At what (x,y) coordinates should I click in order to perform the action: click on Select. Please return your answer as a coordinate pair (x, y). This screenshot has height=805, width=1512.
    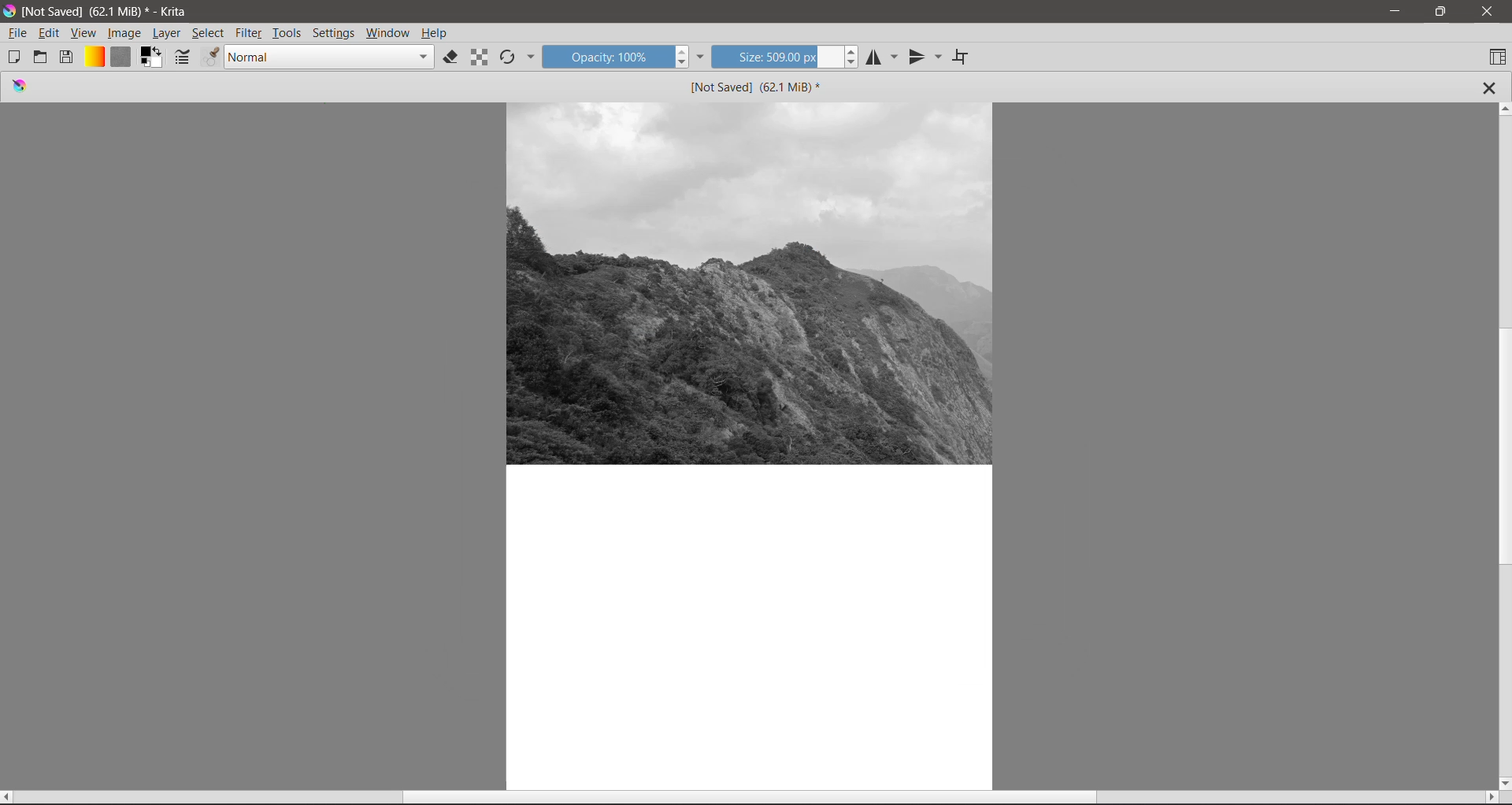
    Looking at the image, I should click on (207, 33).